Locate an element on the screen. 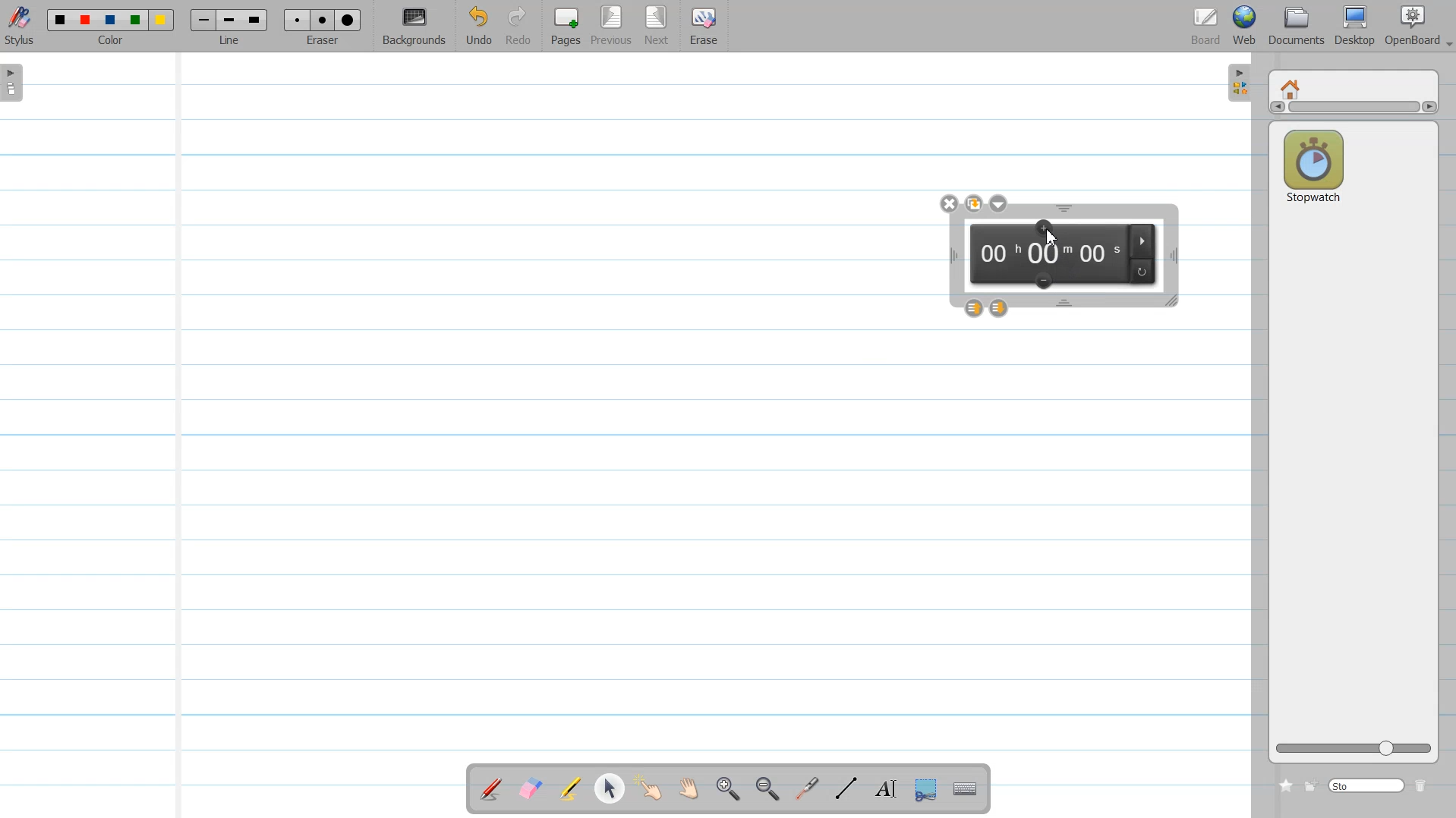 The width and height of the screenshot is (1456, 818). Duplicate  is located at coordinates (972, 203).